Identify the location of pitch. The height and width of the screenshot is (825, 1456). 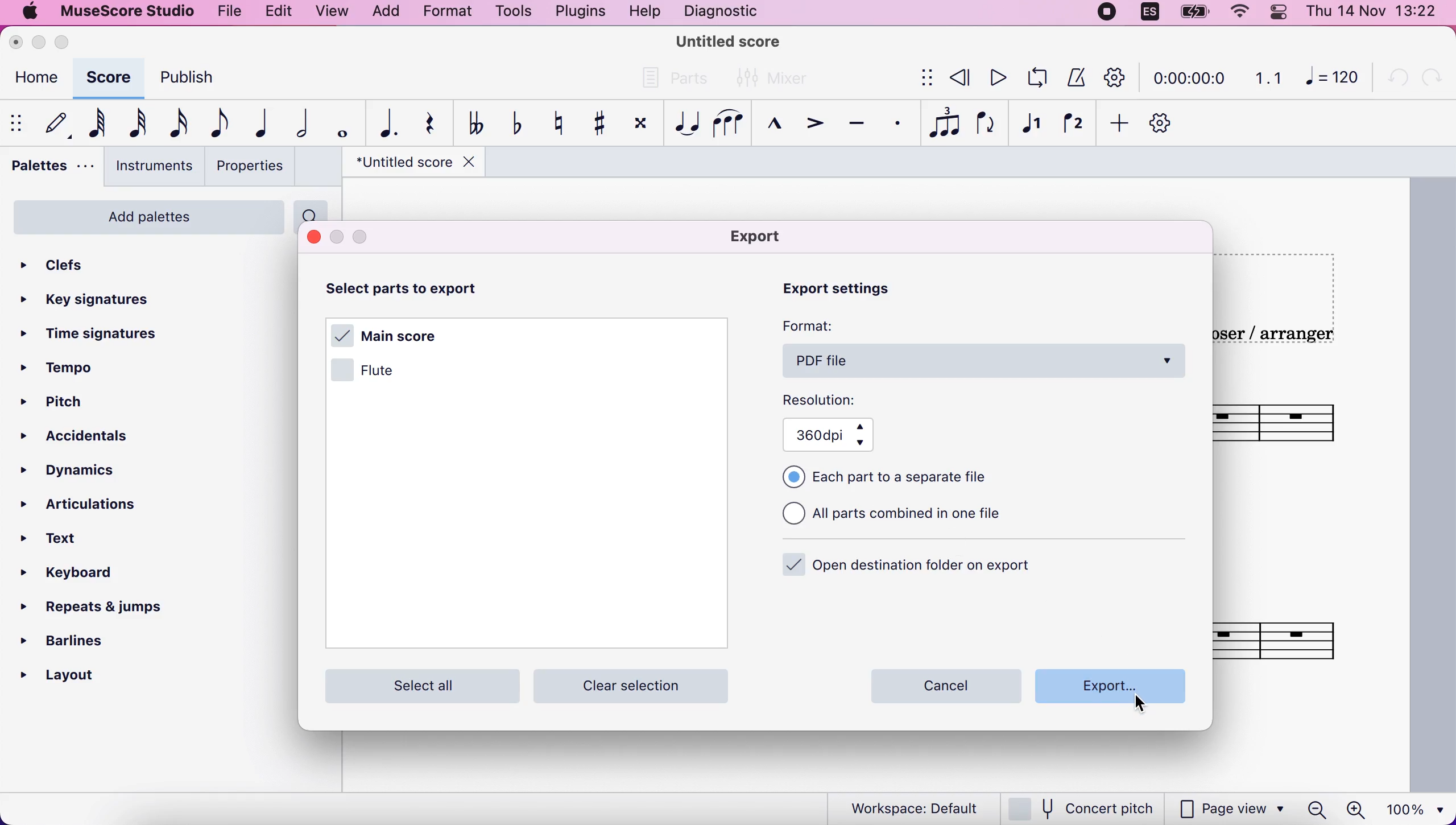
(84, 398).